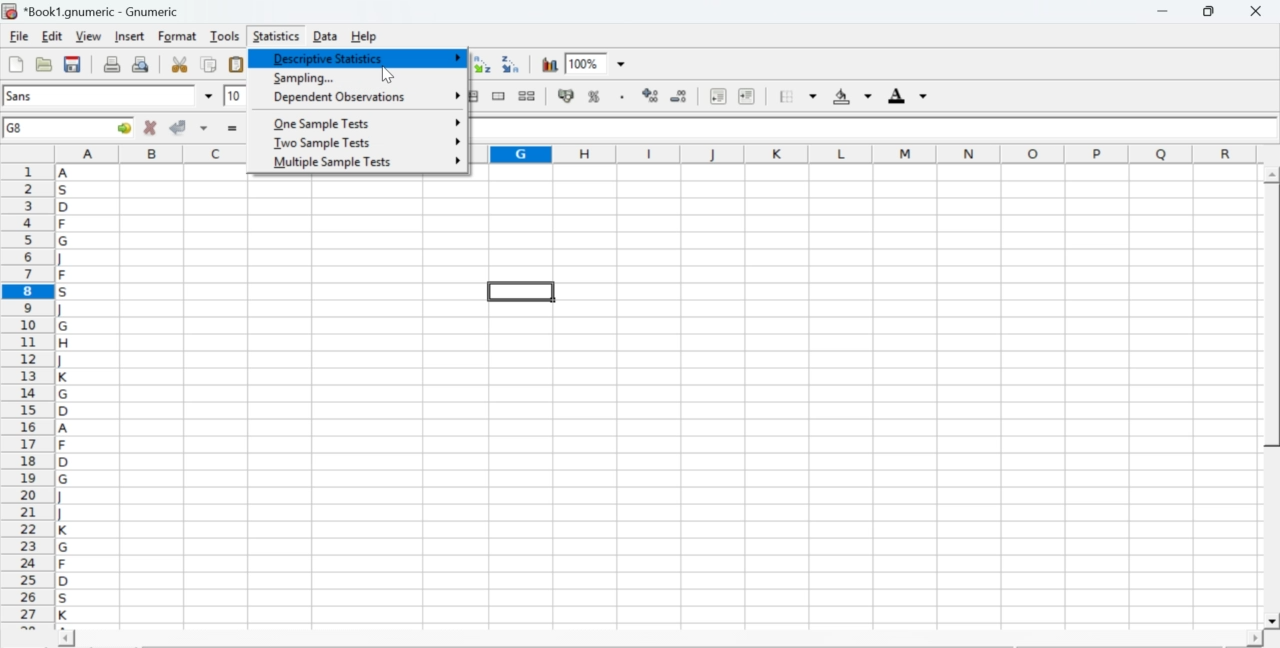 The image size is (1280, 648). Describe the element at coordinates (226, 35) in the screenshot. I see `tools` at that location.